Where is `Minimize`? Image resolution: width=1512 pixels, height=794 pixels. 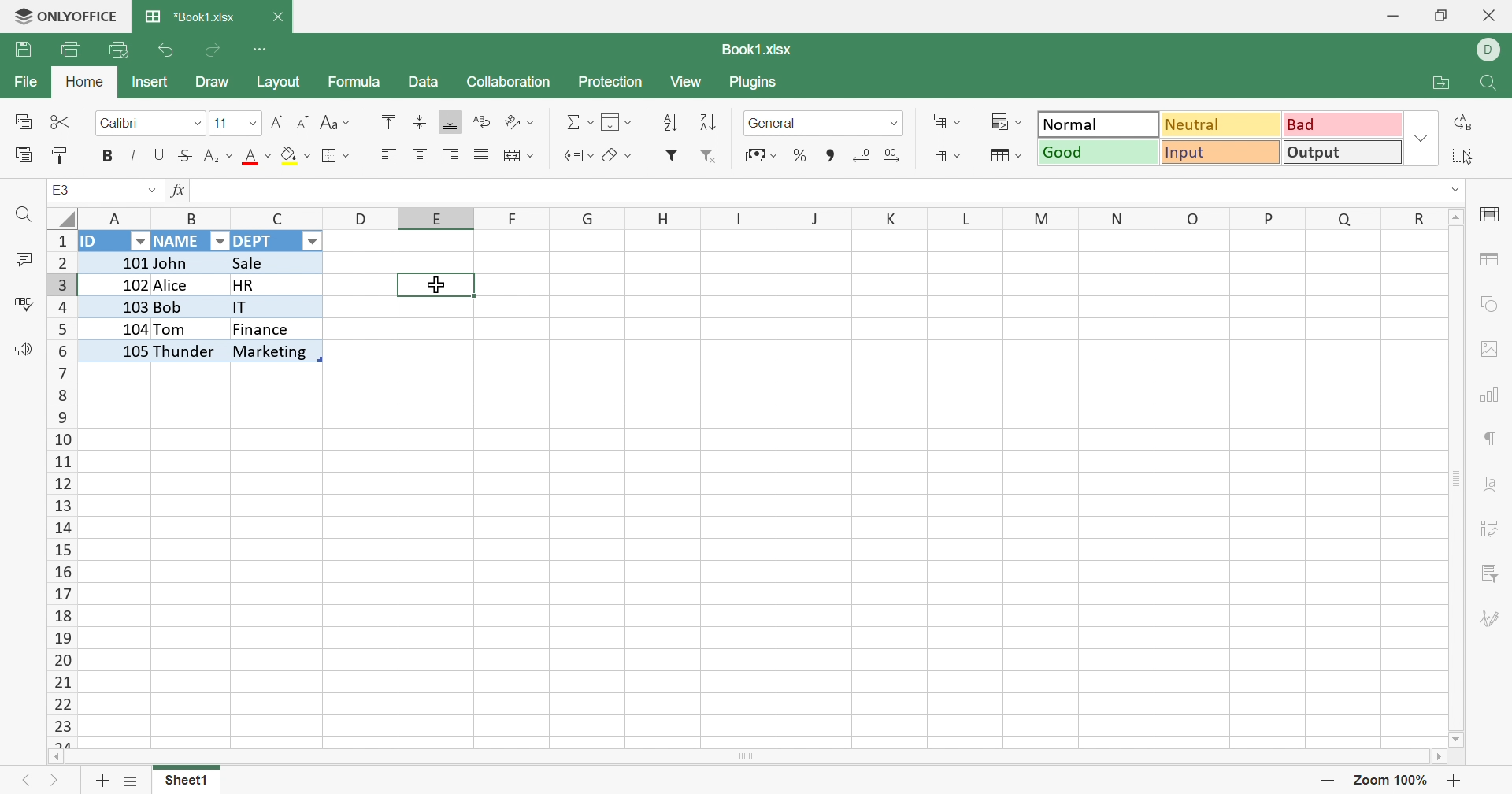 Minimize is located at coordinates (1391, 17).